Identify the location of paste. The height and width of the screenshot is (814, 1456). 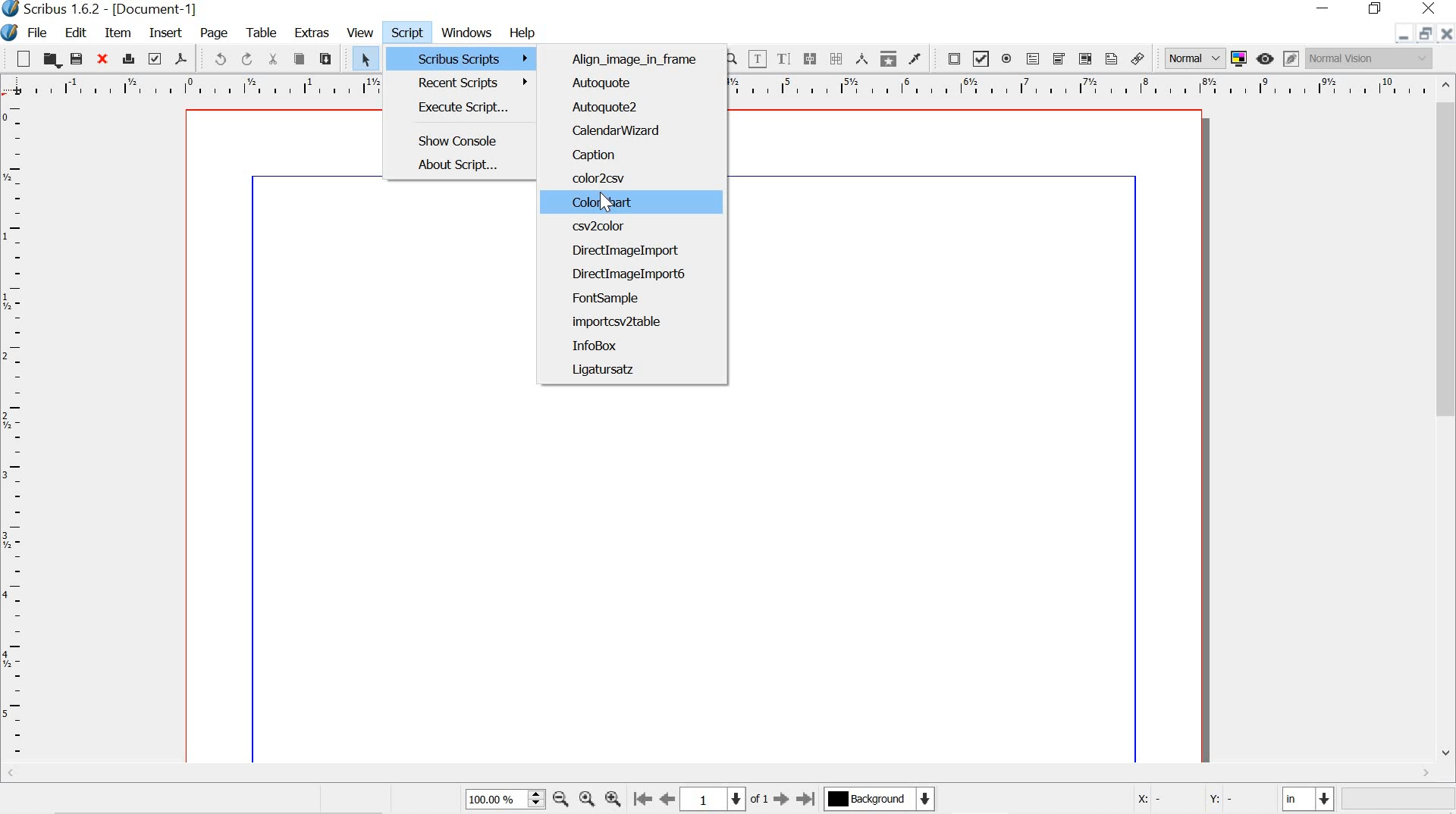
(325, 58).